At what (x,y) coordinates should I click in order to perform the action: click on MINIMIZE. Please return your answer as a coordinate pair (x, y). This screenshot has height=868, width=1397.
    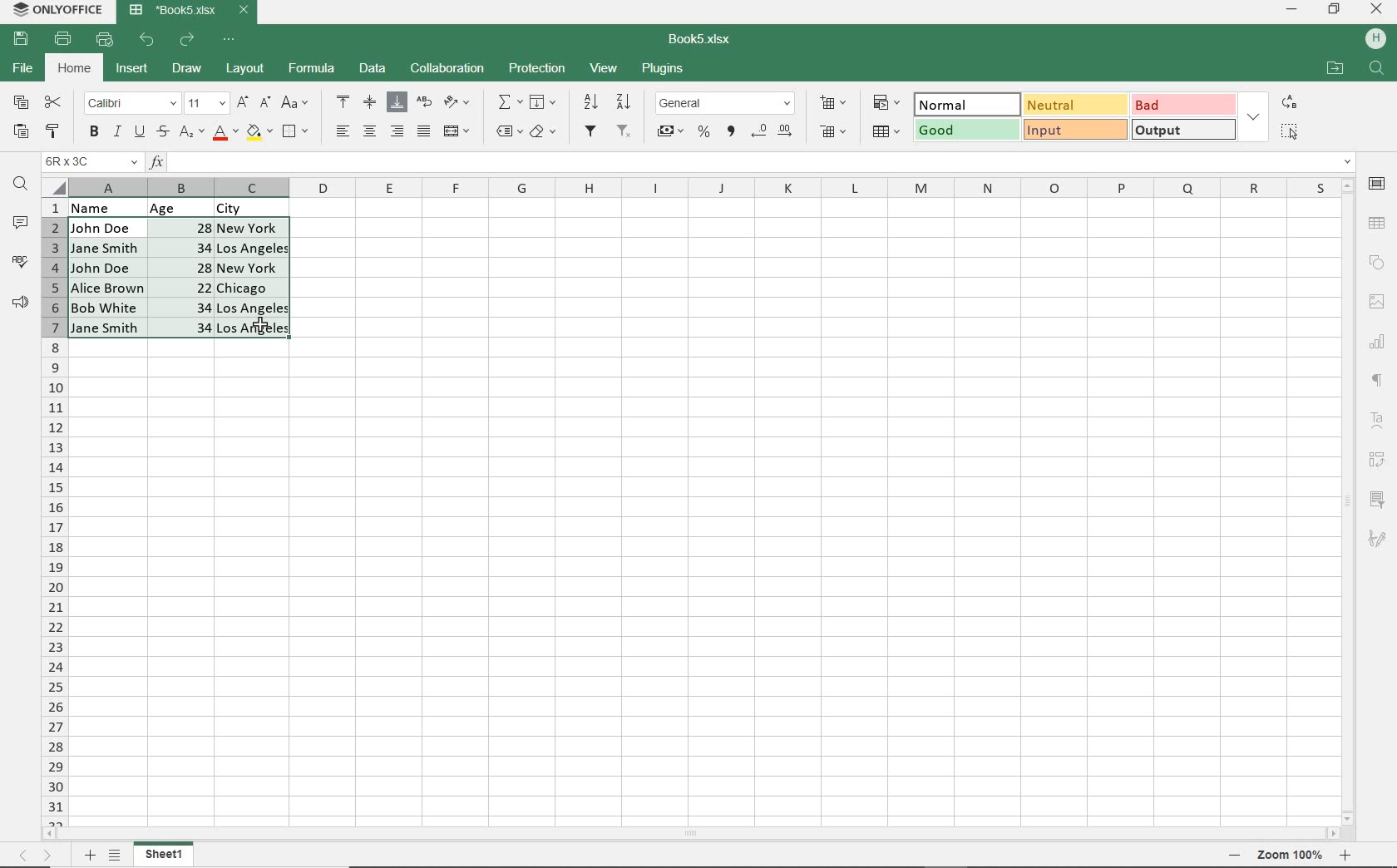
    Looking at the image, I should click on (1293, 10).